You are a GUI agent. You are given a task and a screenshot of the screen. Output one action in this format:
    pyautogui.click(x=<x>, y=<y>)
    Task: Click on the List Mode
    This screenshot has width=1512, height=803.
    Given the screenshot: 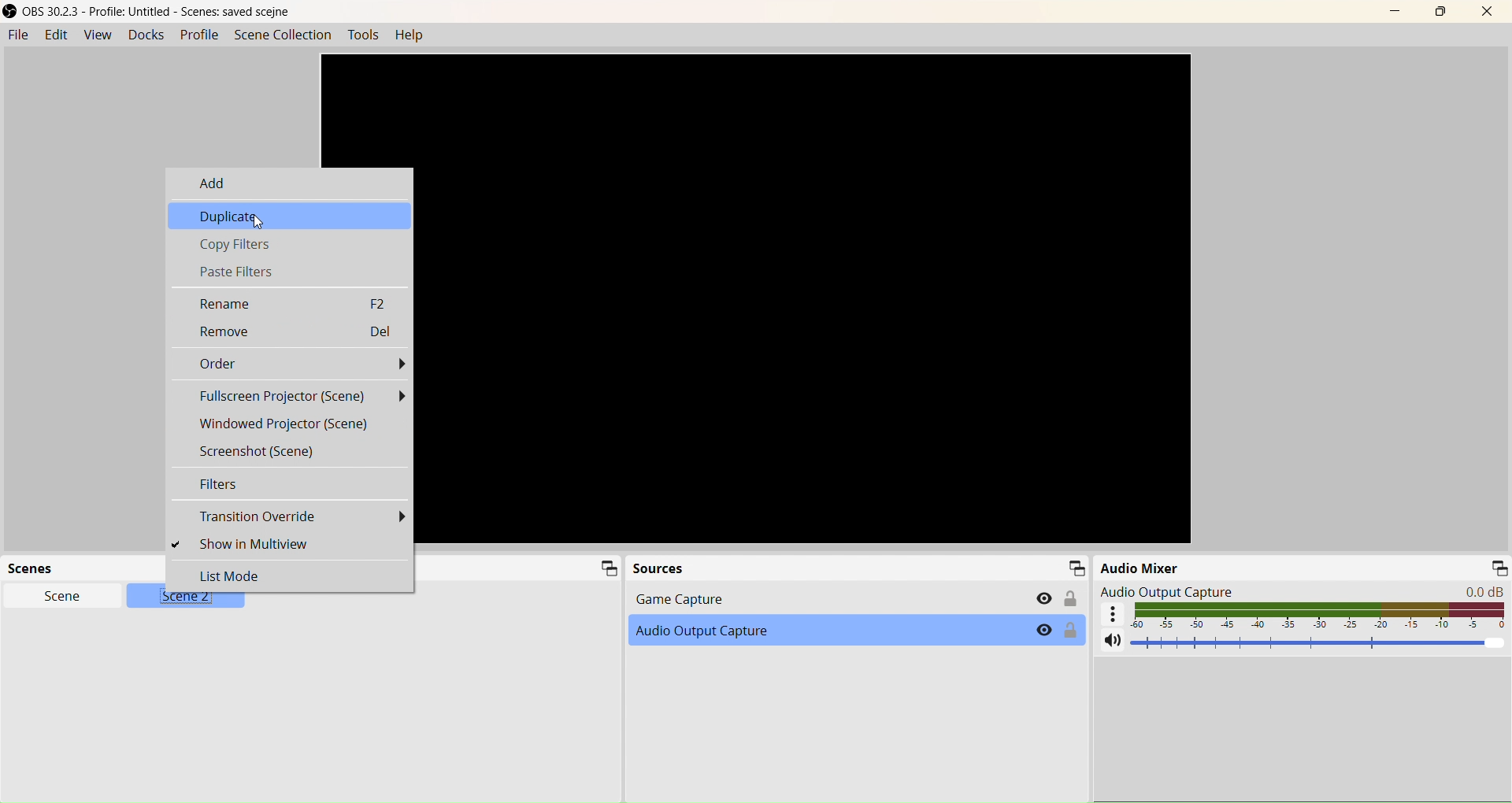 What is the action you would take?
    pyautogui.click(x=242, y=575)
    